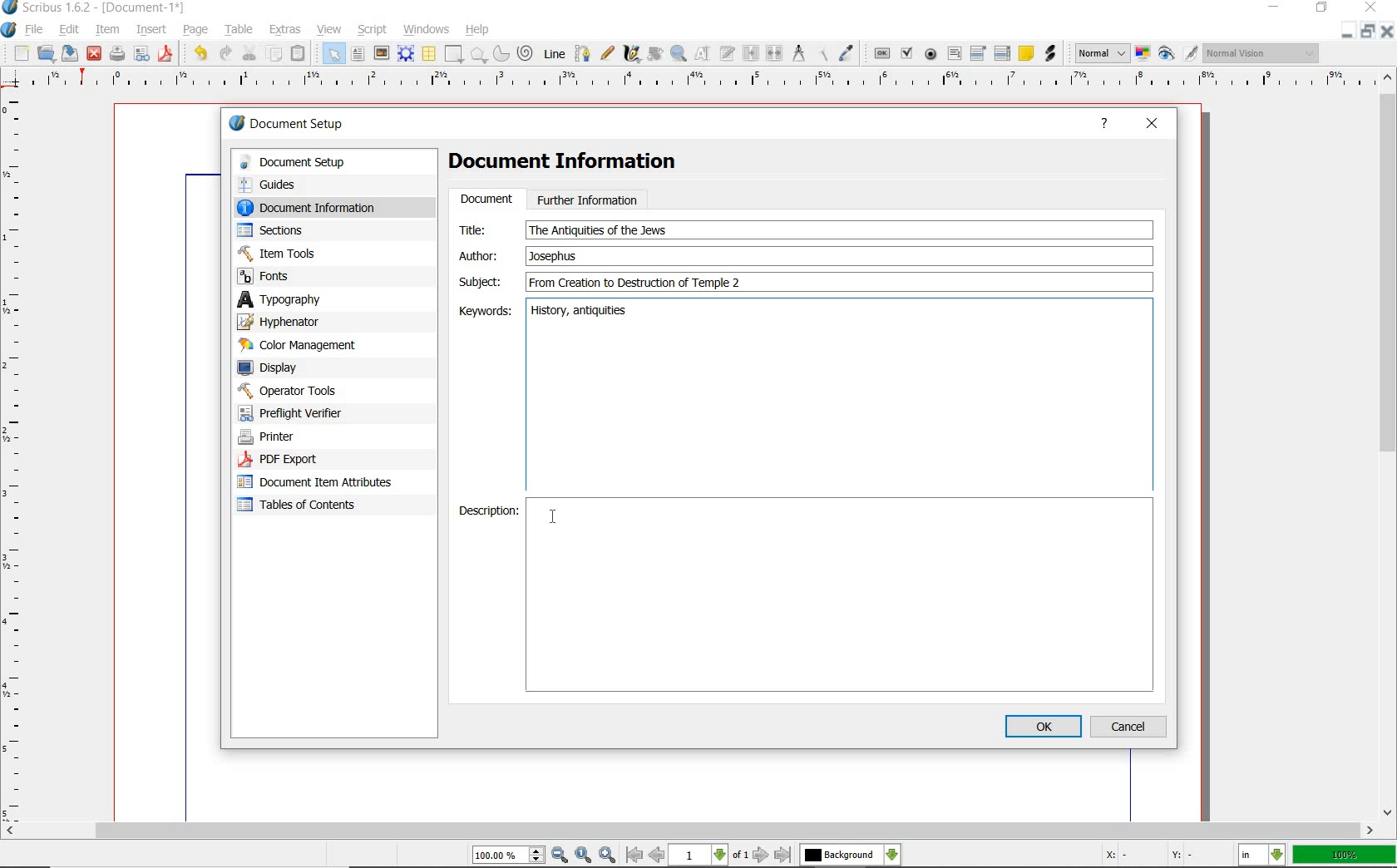  I want to click on edit text with story editor, so click(728, 55).